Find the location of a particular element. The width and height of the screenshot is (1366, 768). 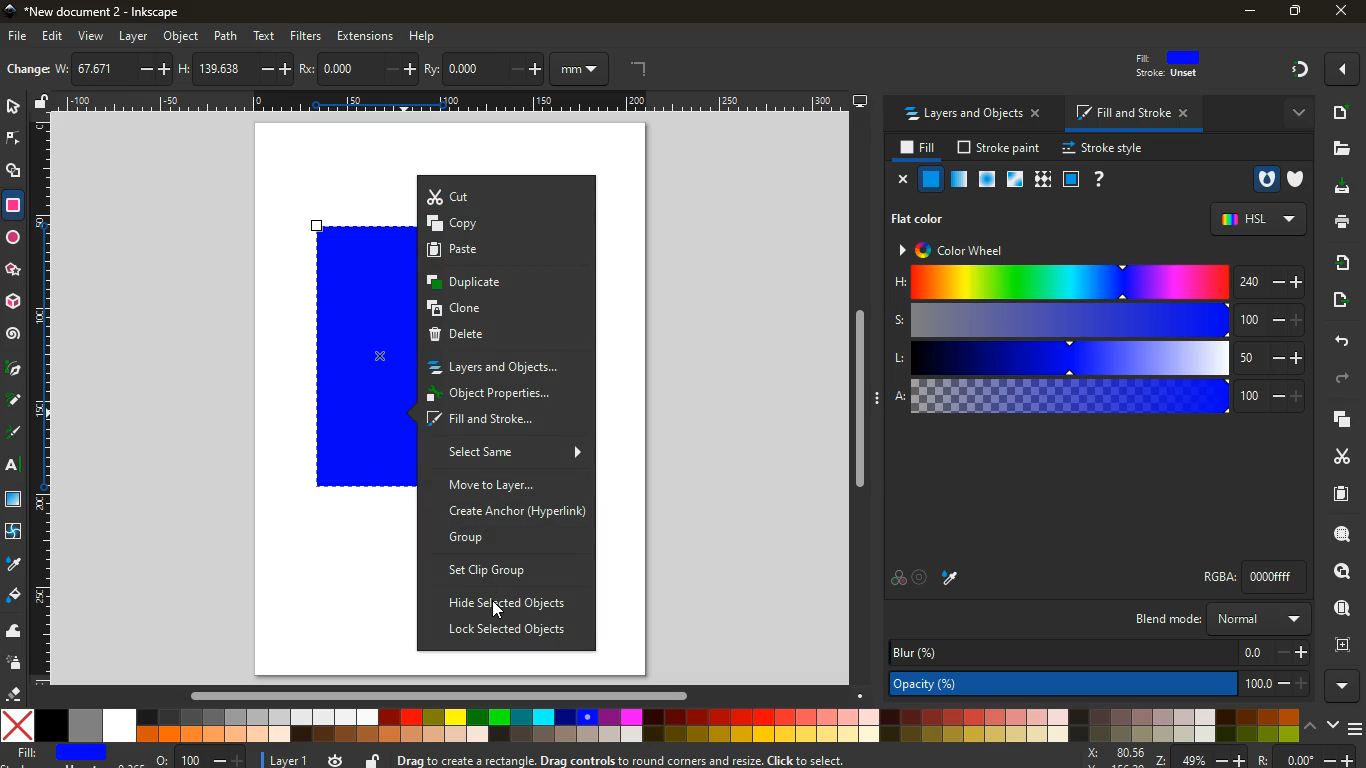

look is located at coordinates (1342, 570).